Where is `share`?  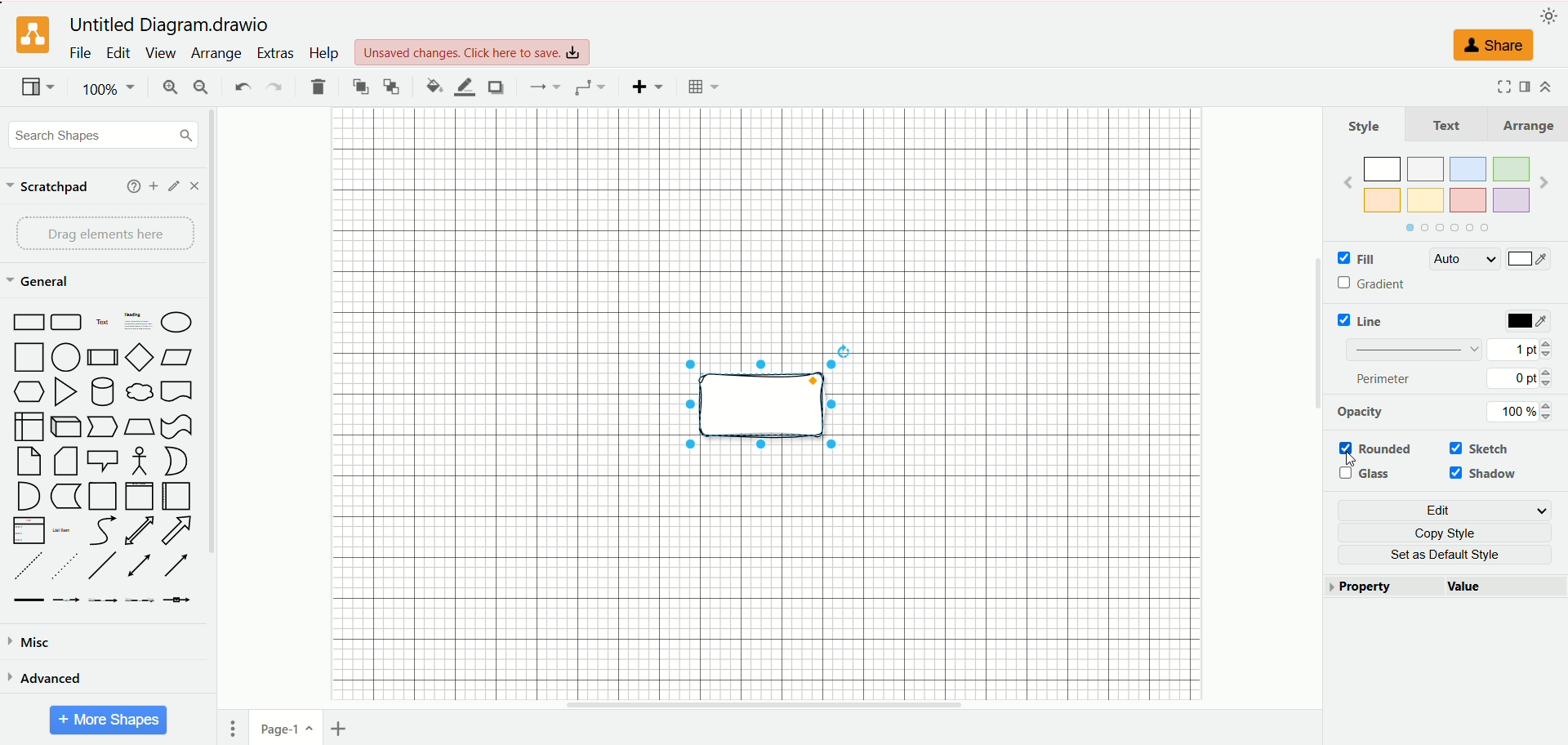
share is located at coordinates (1491, 45).